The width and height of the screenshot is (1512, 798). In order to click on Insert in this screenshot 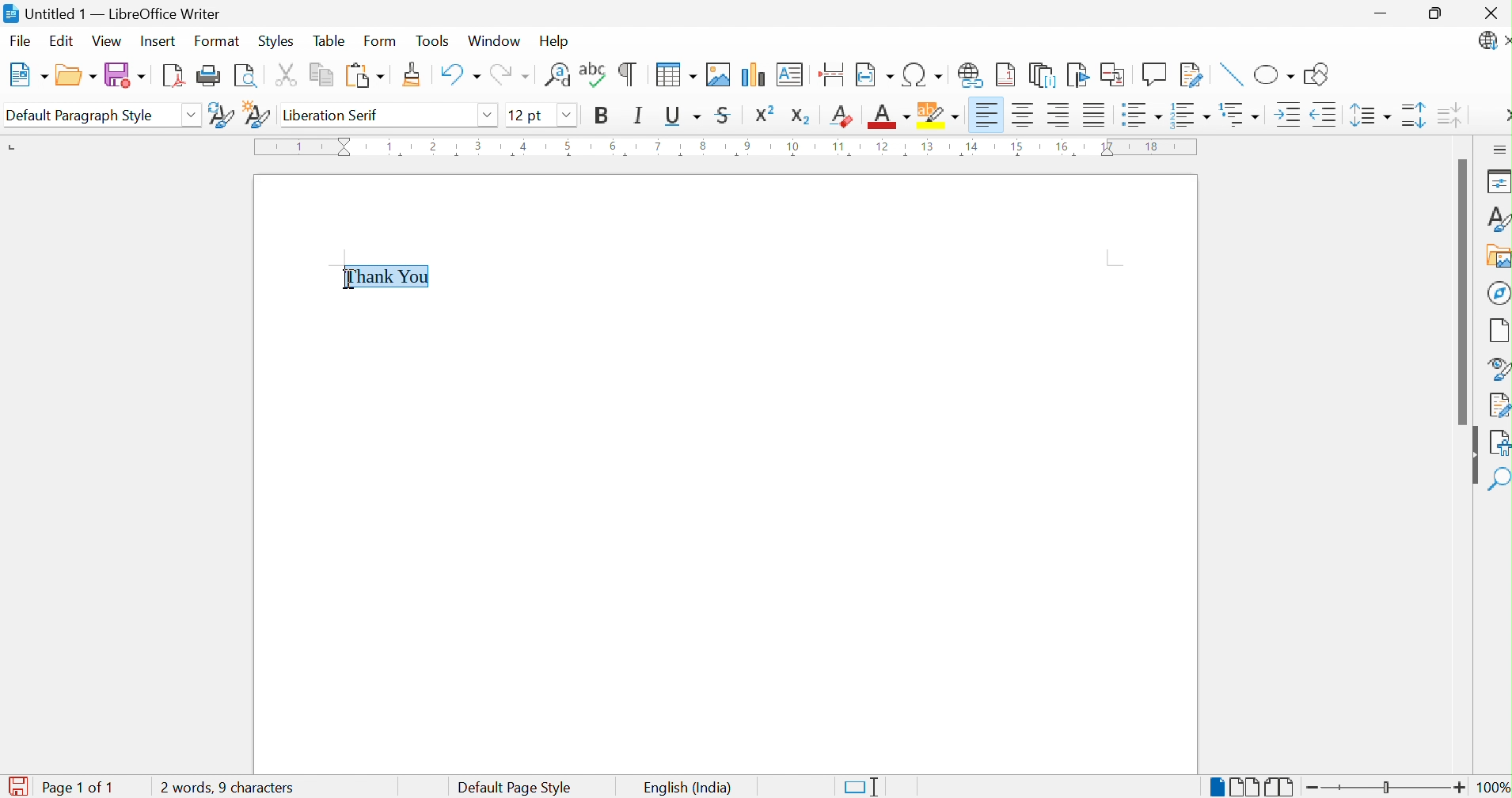, I will do `click(160, 40)`.